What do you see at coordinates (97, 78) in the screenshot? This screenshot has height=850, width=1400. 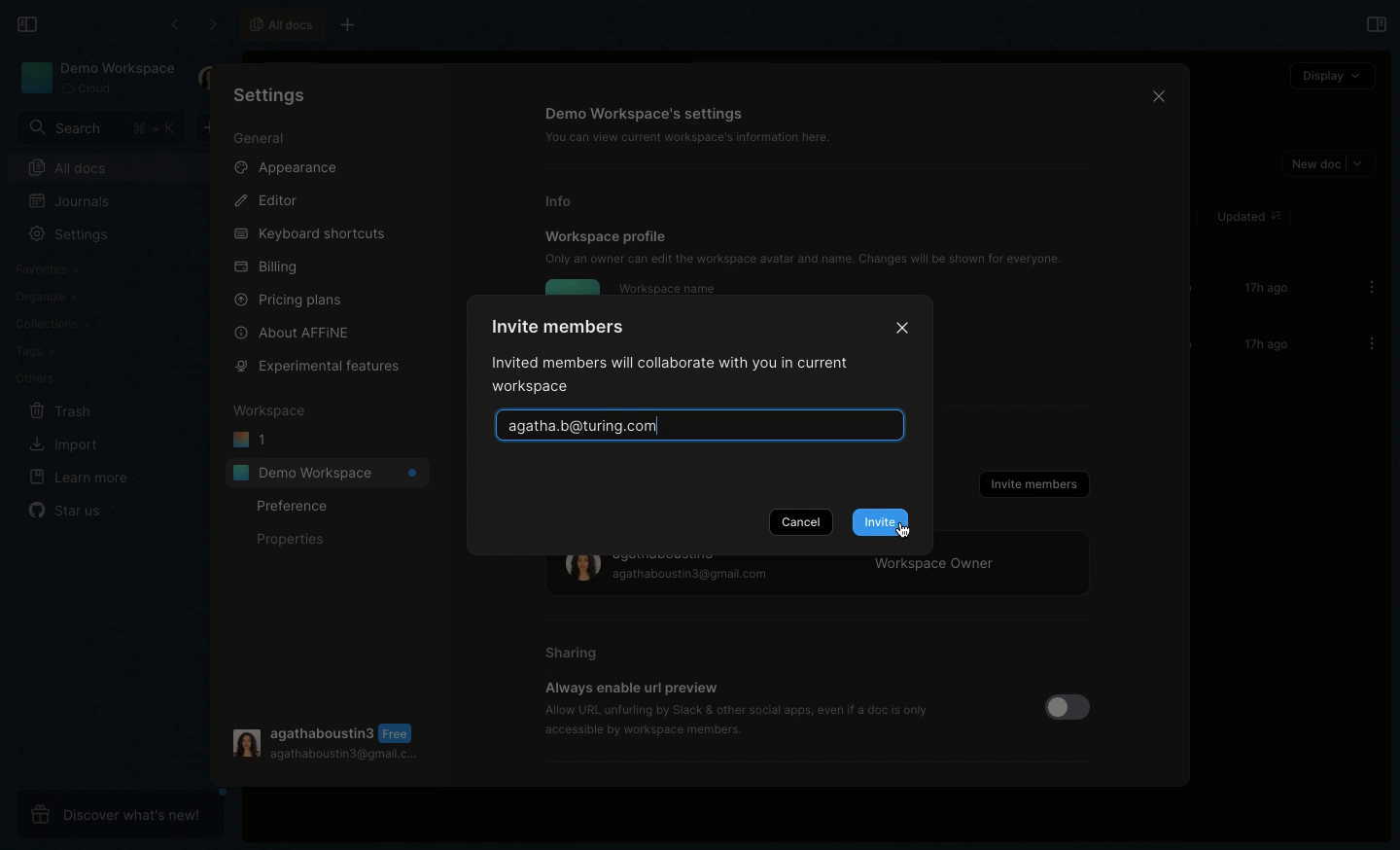 I see `Demo workspace` at bounding box center [97, 78].